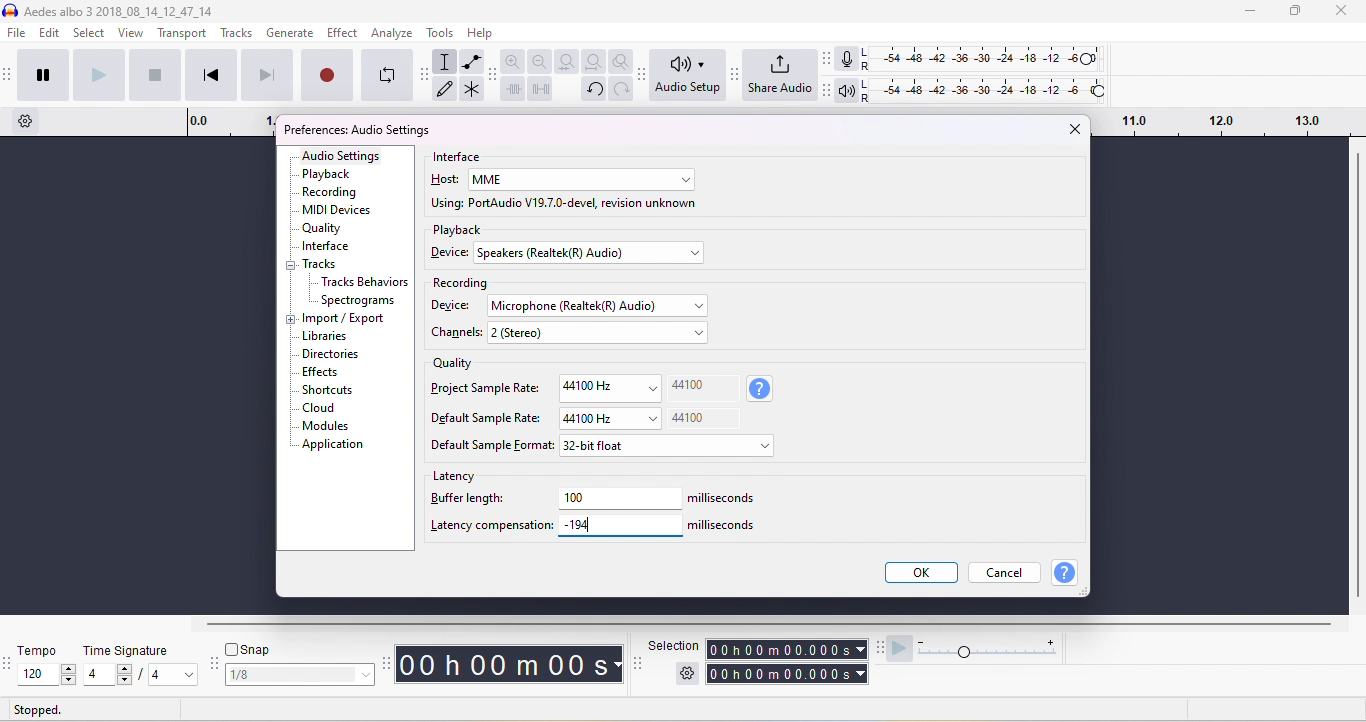 The width and height of the screenshot is (1366, 722). Describe the element at coordinates (319, 408) in the screenshot. I see `cloud` at that location.